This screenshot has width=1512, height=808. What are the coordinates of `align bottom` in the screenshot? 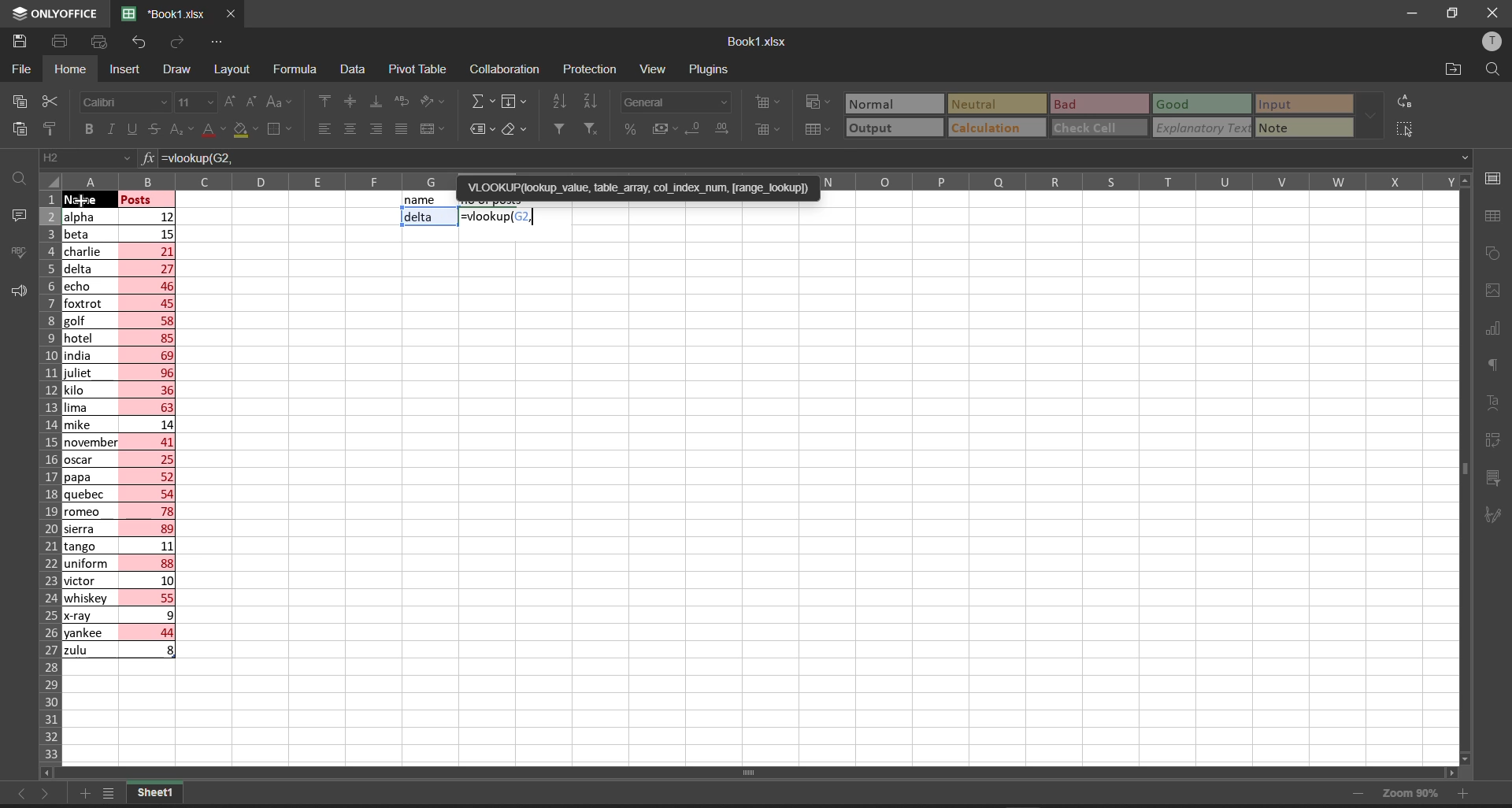 It's located at (376, 101).